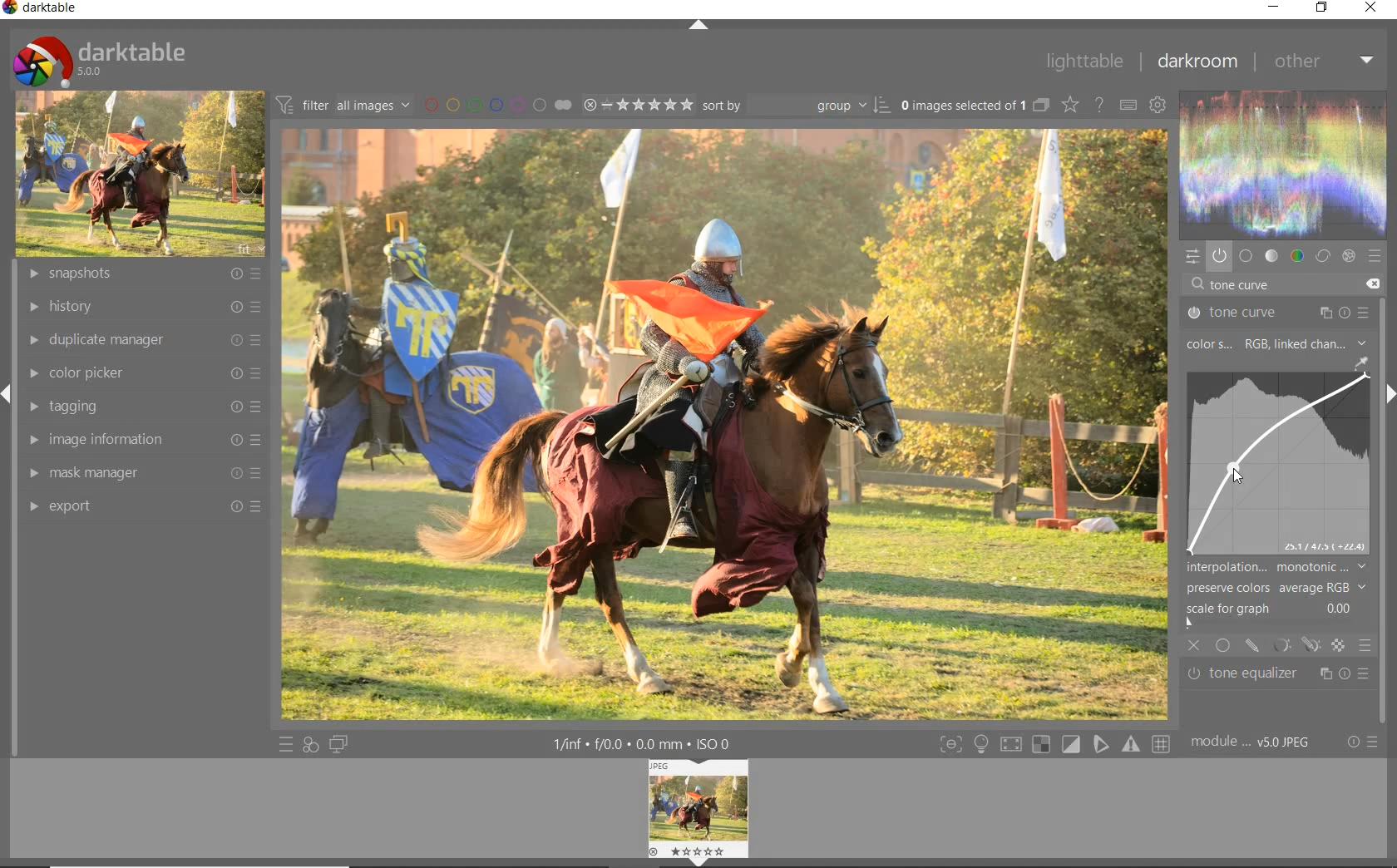  What do you see at coordinates (698, 26) in the screenshot?
I see `expand/collapse` at bounding box center [698, 26].